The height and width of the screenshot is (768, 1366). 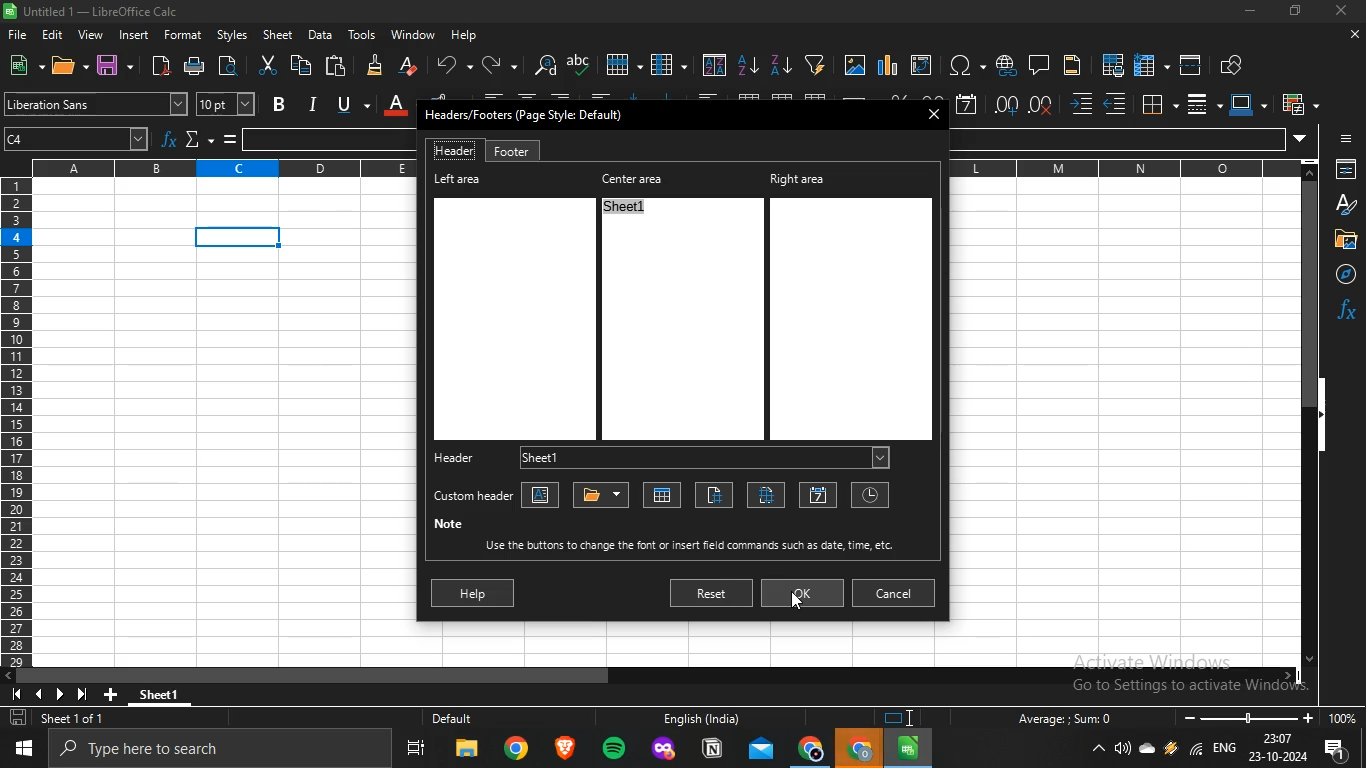 I want to click on tools, so click(x=362, y=35).